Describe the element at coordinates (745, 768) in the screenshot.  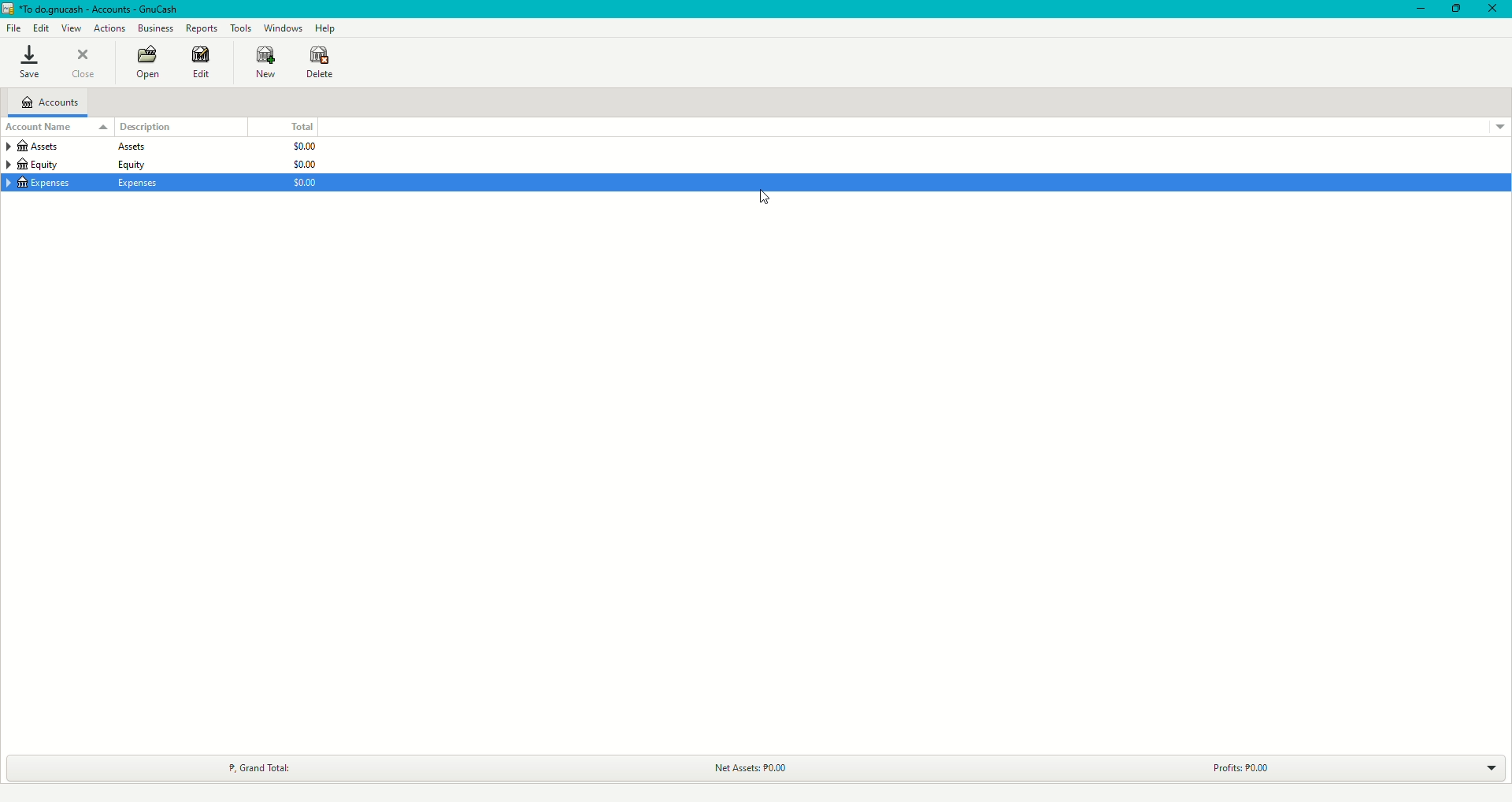
I see `Net Assets` at that location.